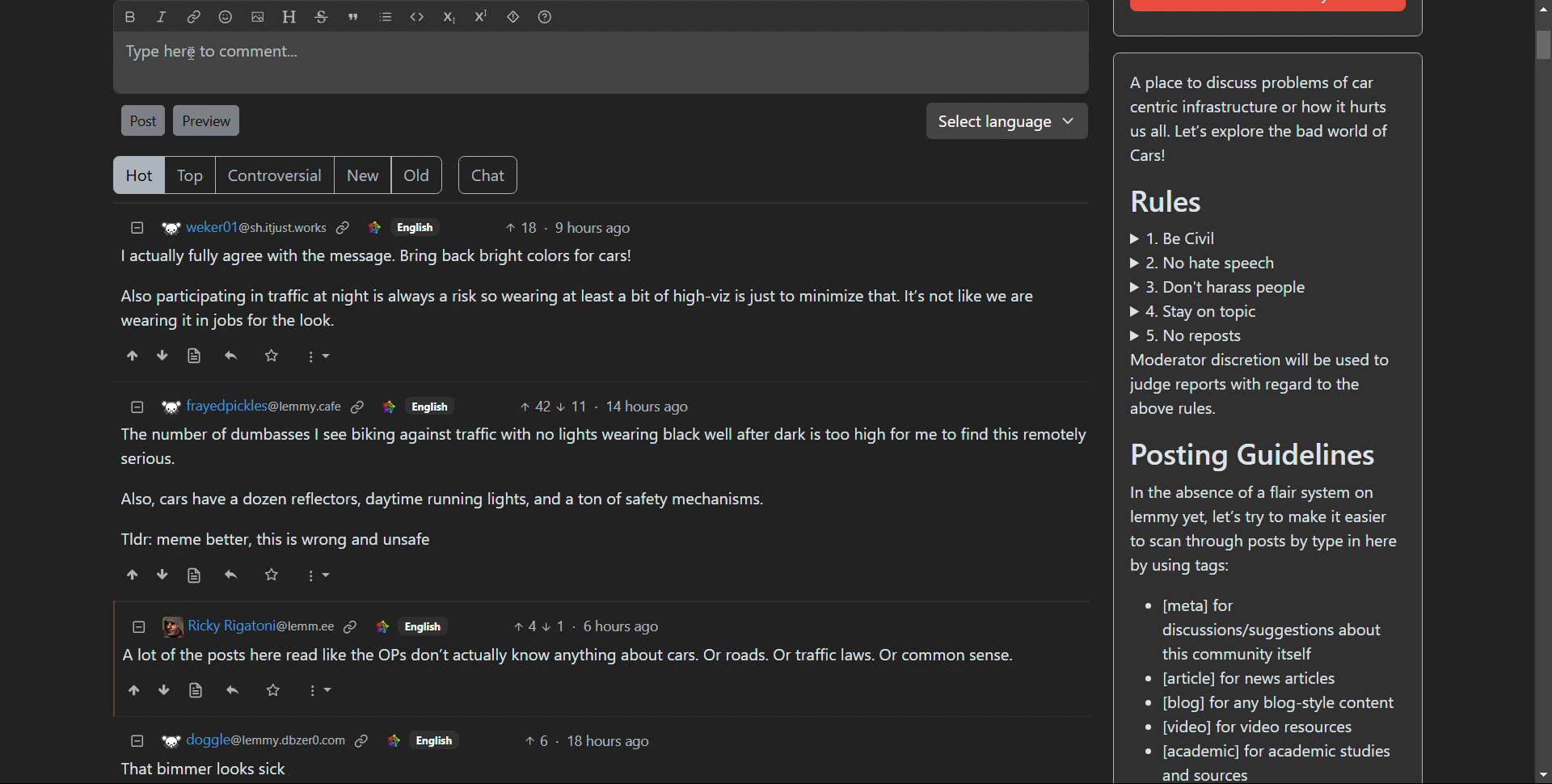 This screenshot has height=784, width=1552. What do you see at coordinates (137, 626) in the screenshot?
I see `collapse` at bounding box center [137, 626].